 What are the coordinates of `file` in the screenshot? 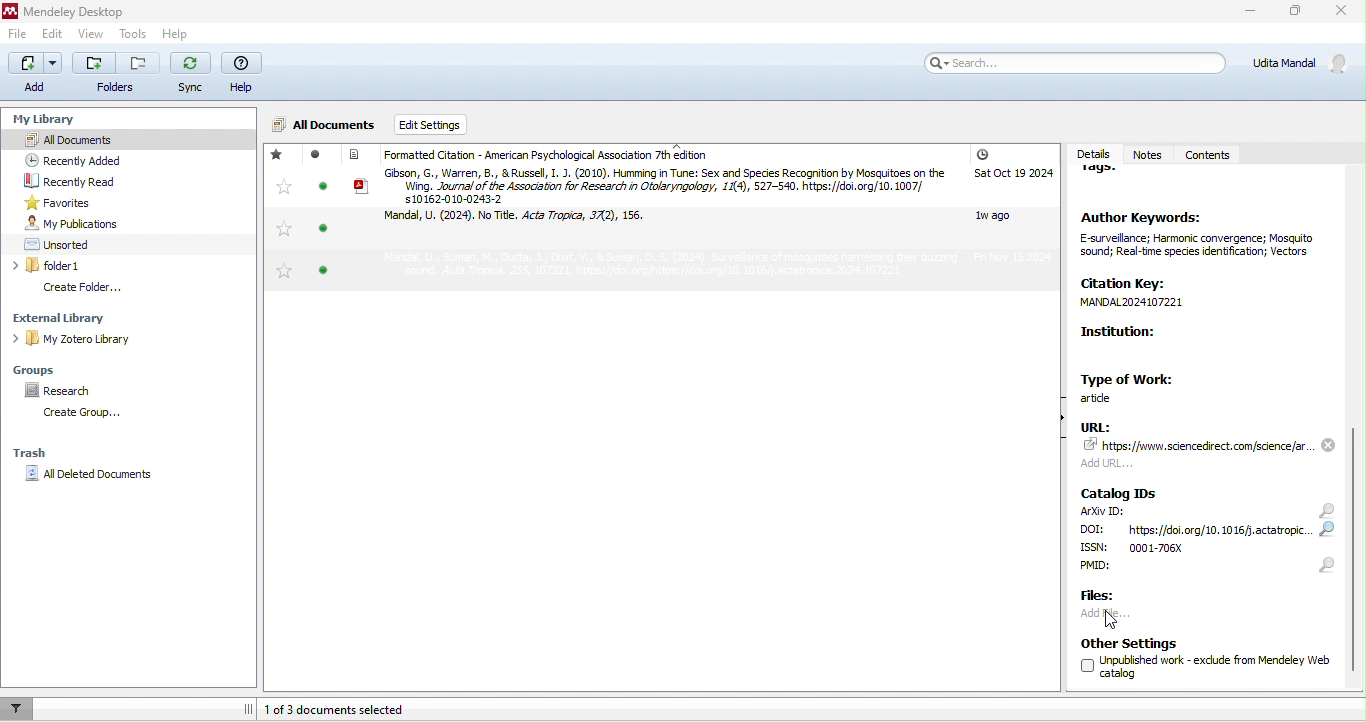 It's located at (20, 37).